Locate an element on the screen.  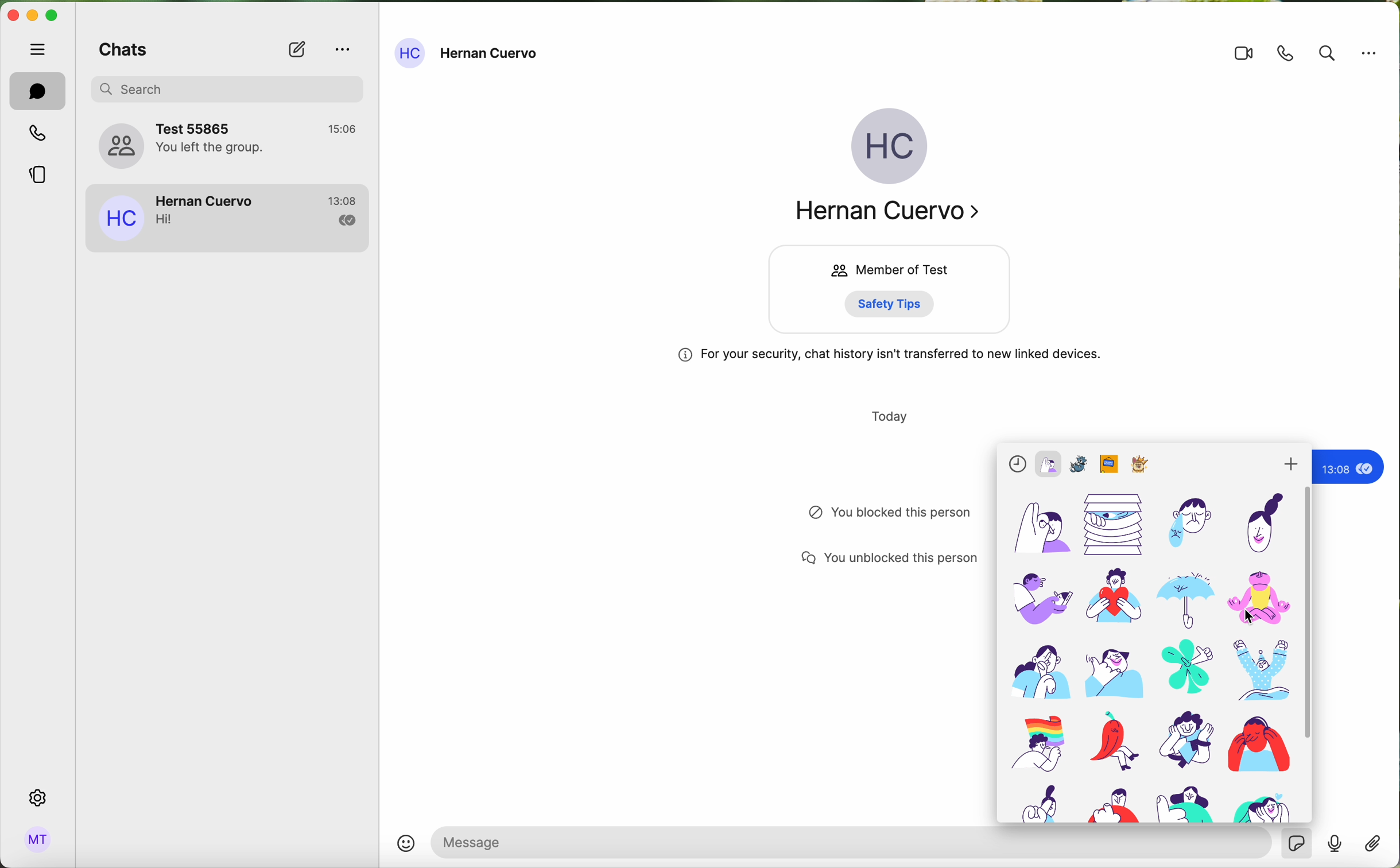
today  is located at coordinates (888, 415).